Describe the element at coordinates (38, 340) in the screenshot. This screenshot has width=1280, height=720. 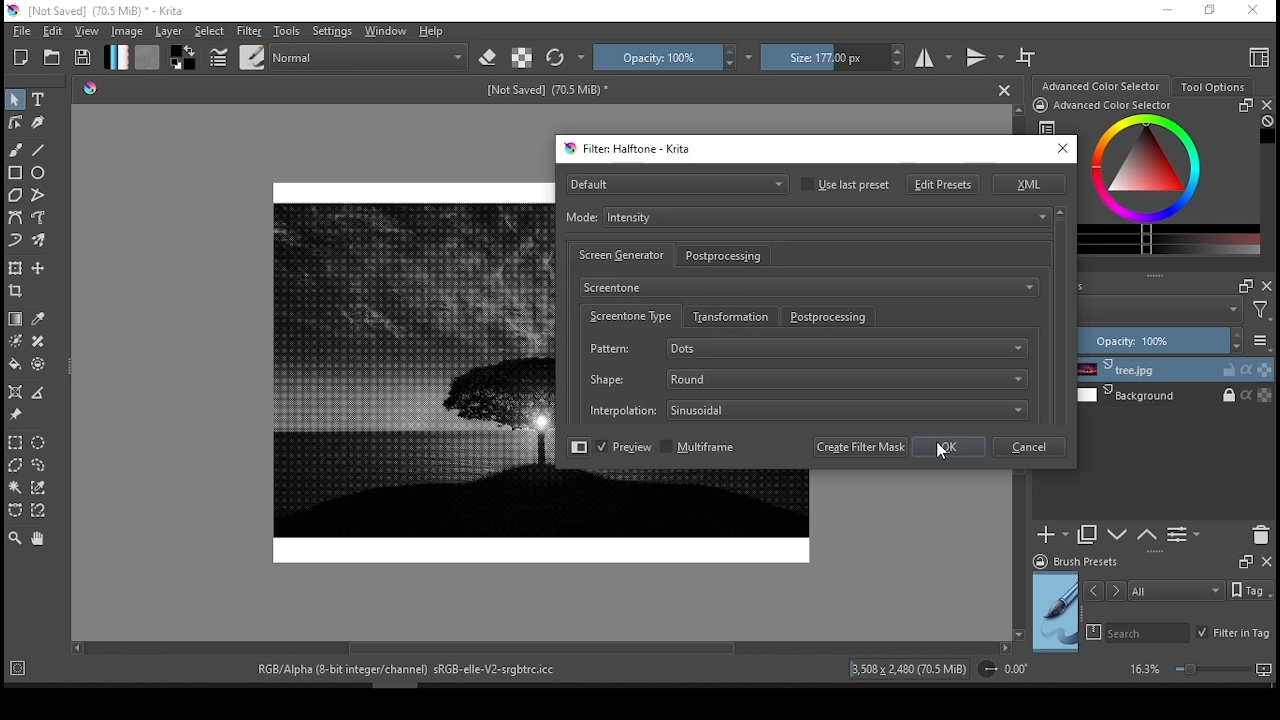
I see `smart patch tool` at that location.